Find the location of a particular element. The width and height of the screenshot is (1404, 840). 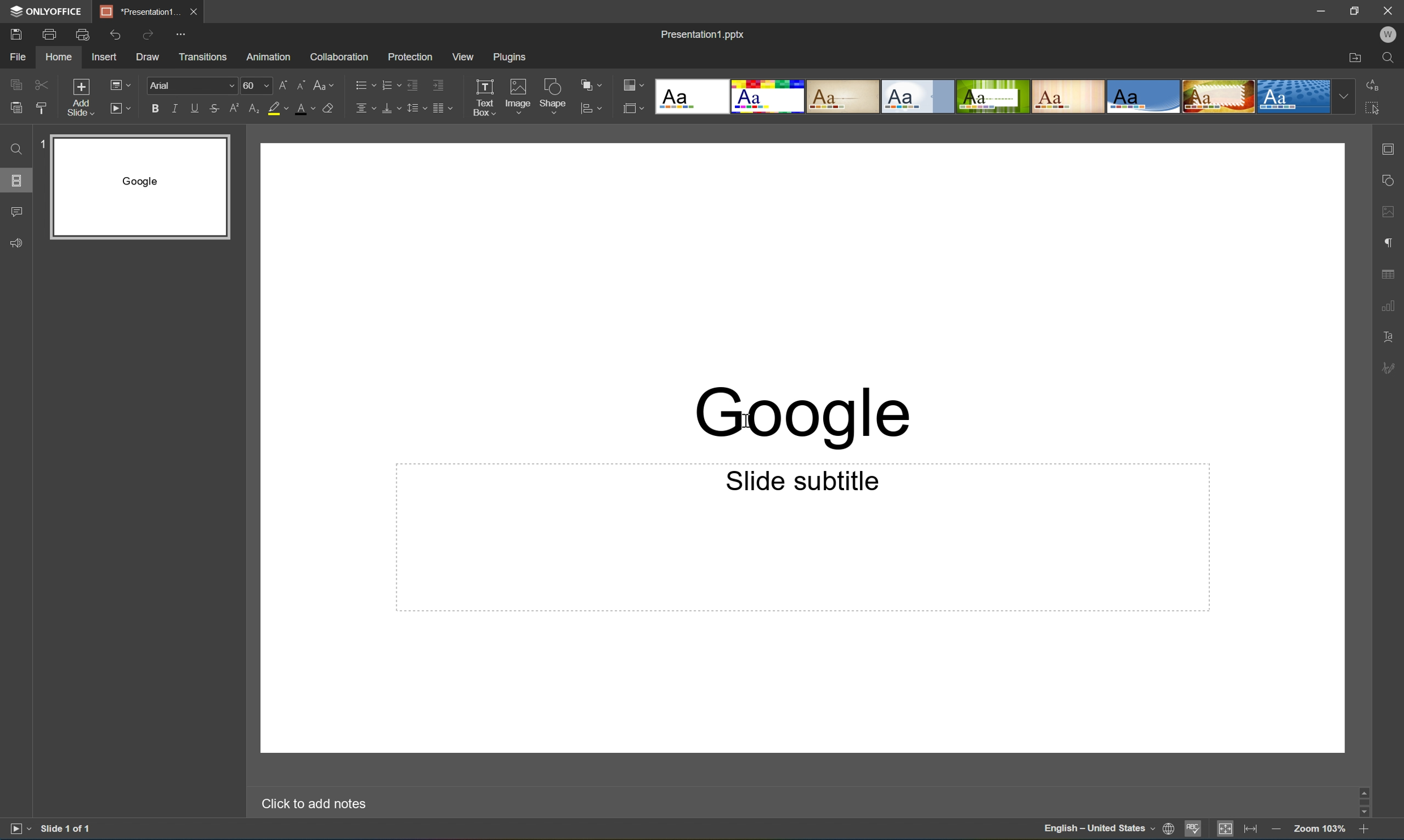

Italic is located at coordinates (179, 109).